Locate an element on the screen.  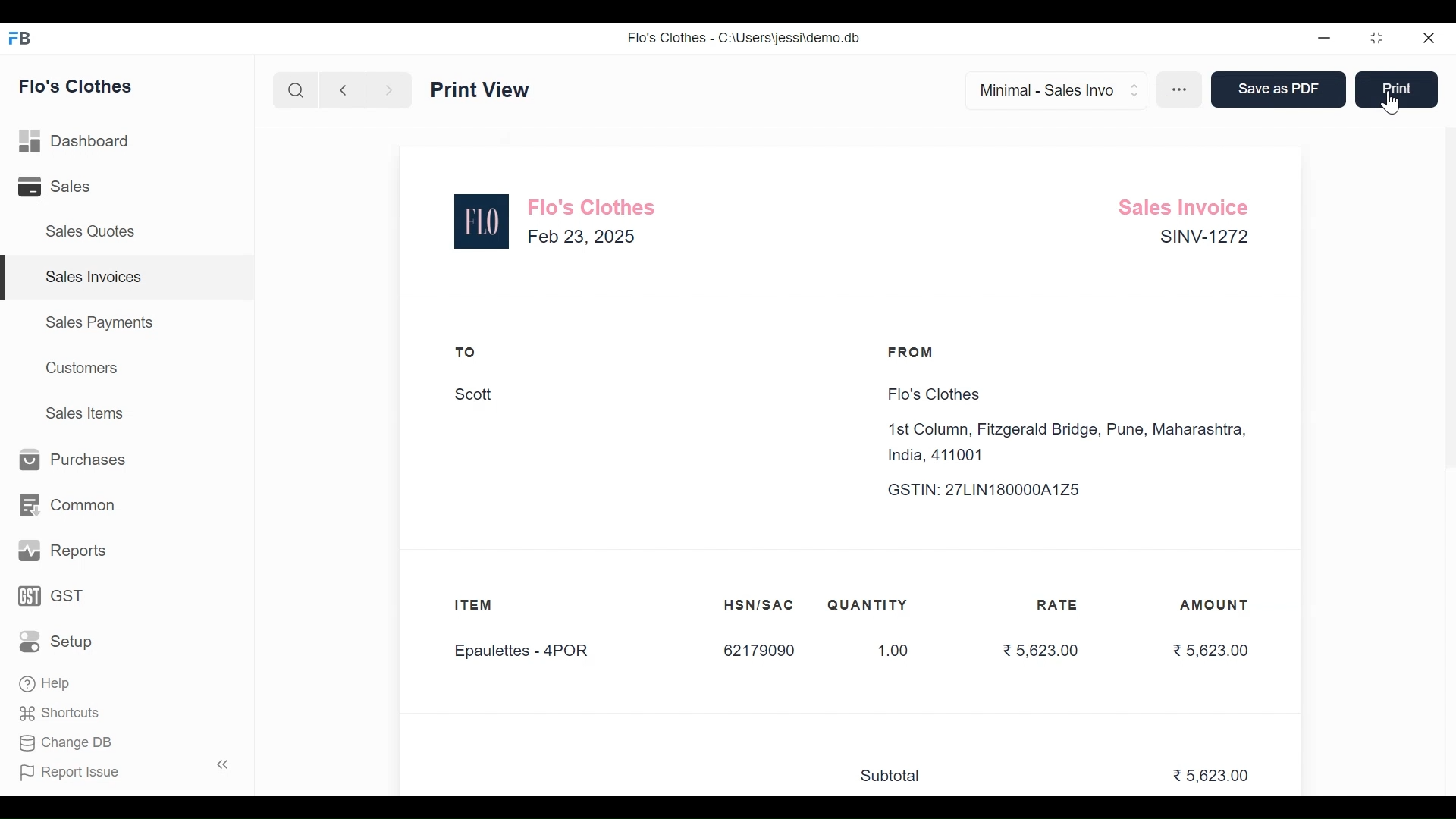
Epaulettes - 4POR is located at coordinates (530, 652).